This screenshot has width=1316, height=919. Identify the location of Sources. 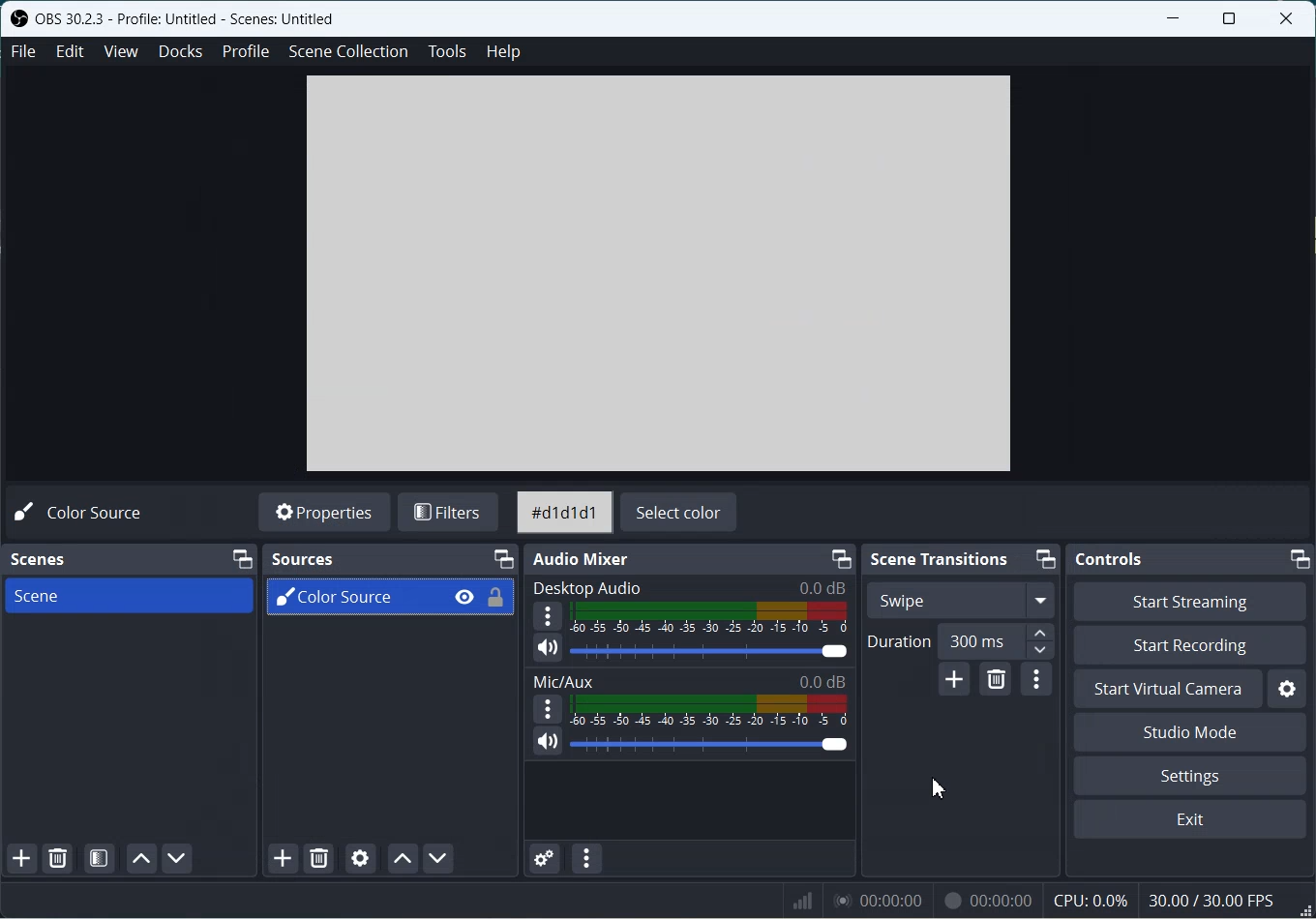
(300, 561).